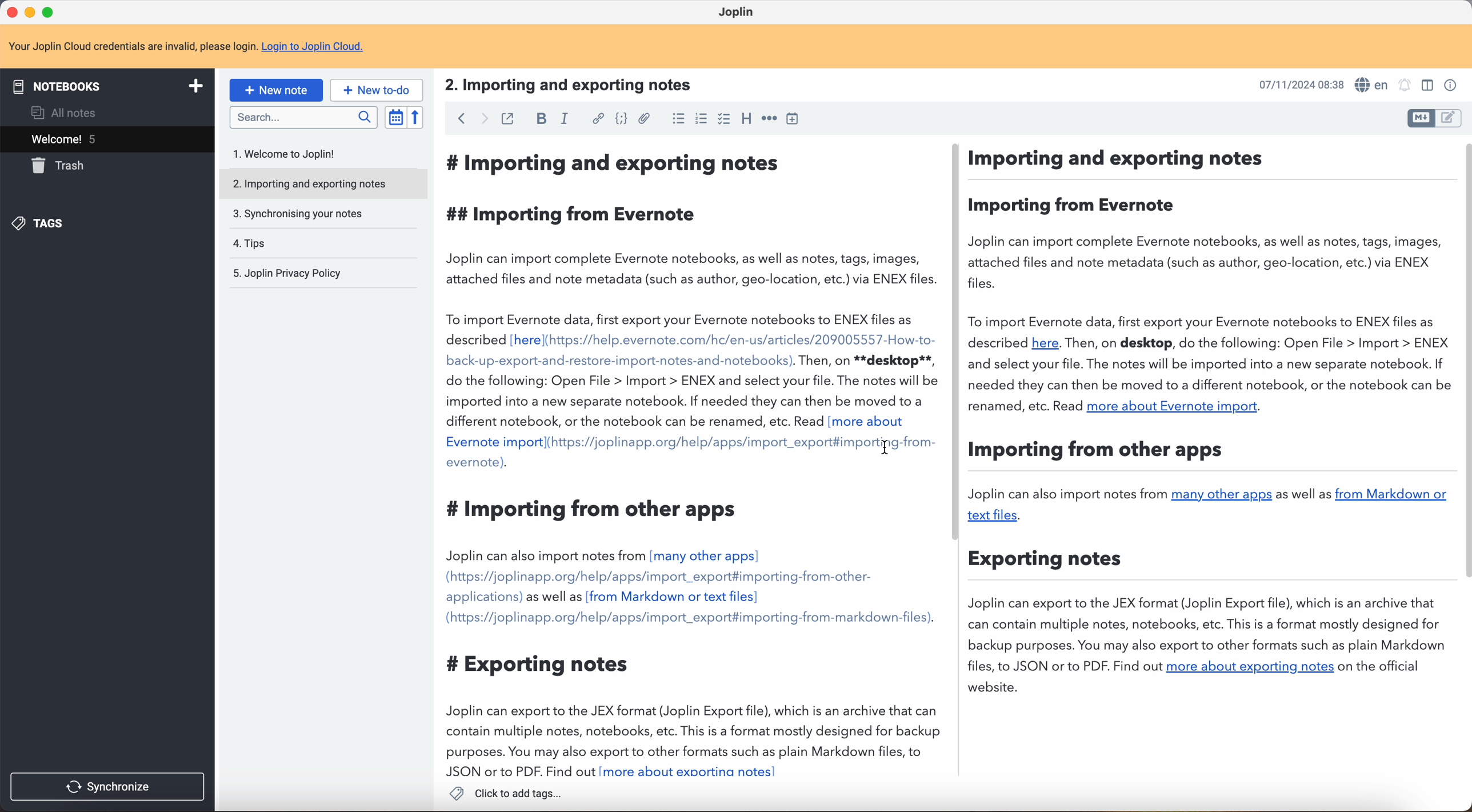 The width and height of the screenshot is (1472, 812). I want to click on toggle editor layout, so click(1425, 86).